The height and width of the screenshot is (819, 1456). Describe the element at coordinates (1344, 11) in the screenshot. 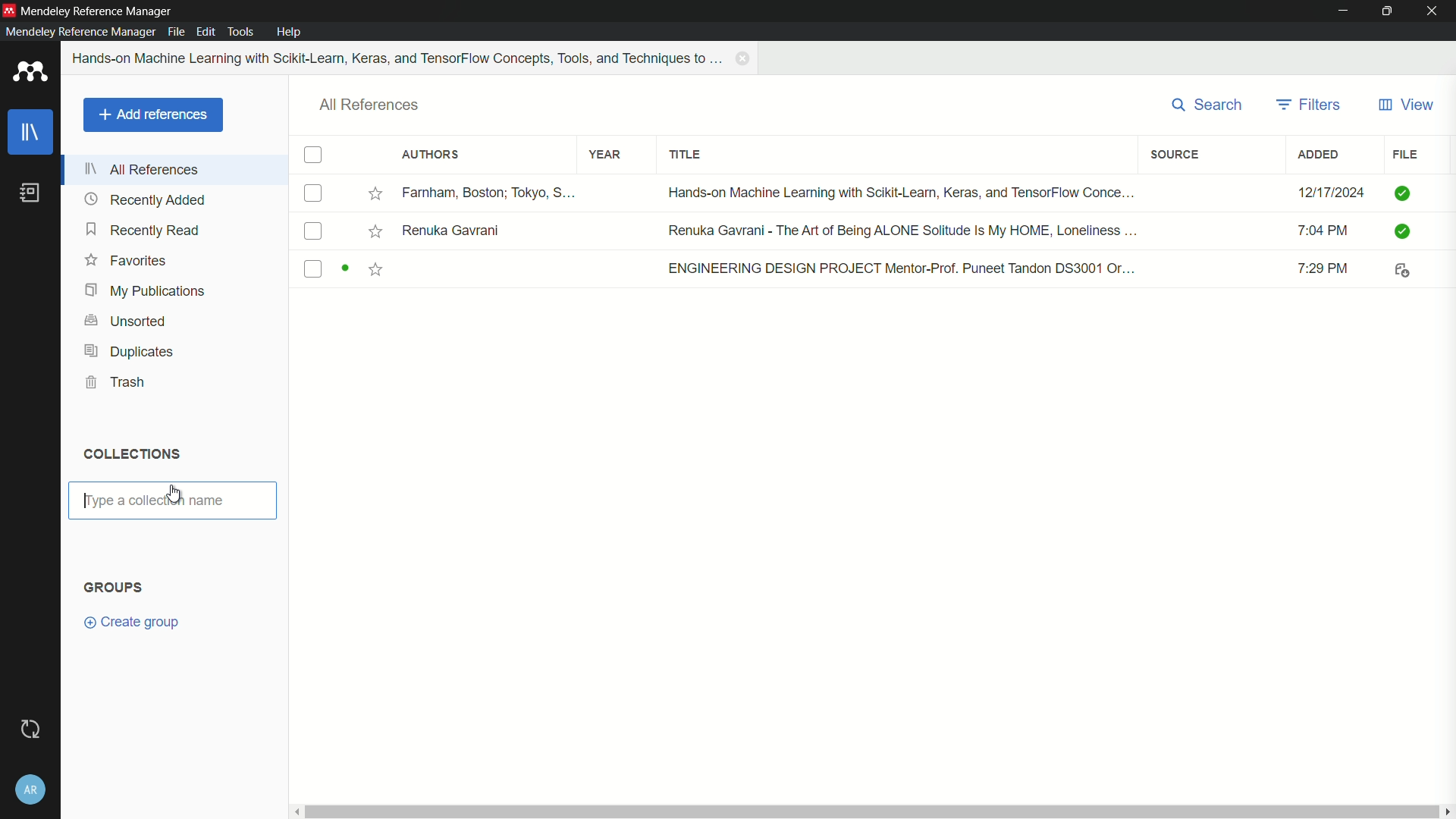

I see `minimize` at that location.